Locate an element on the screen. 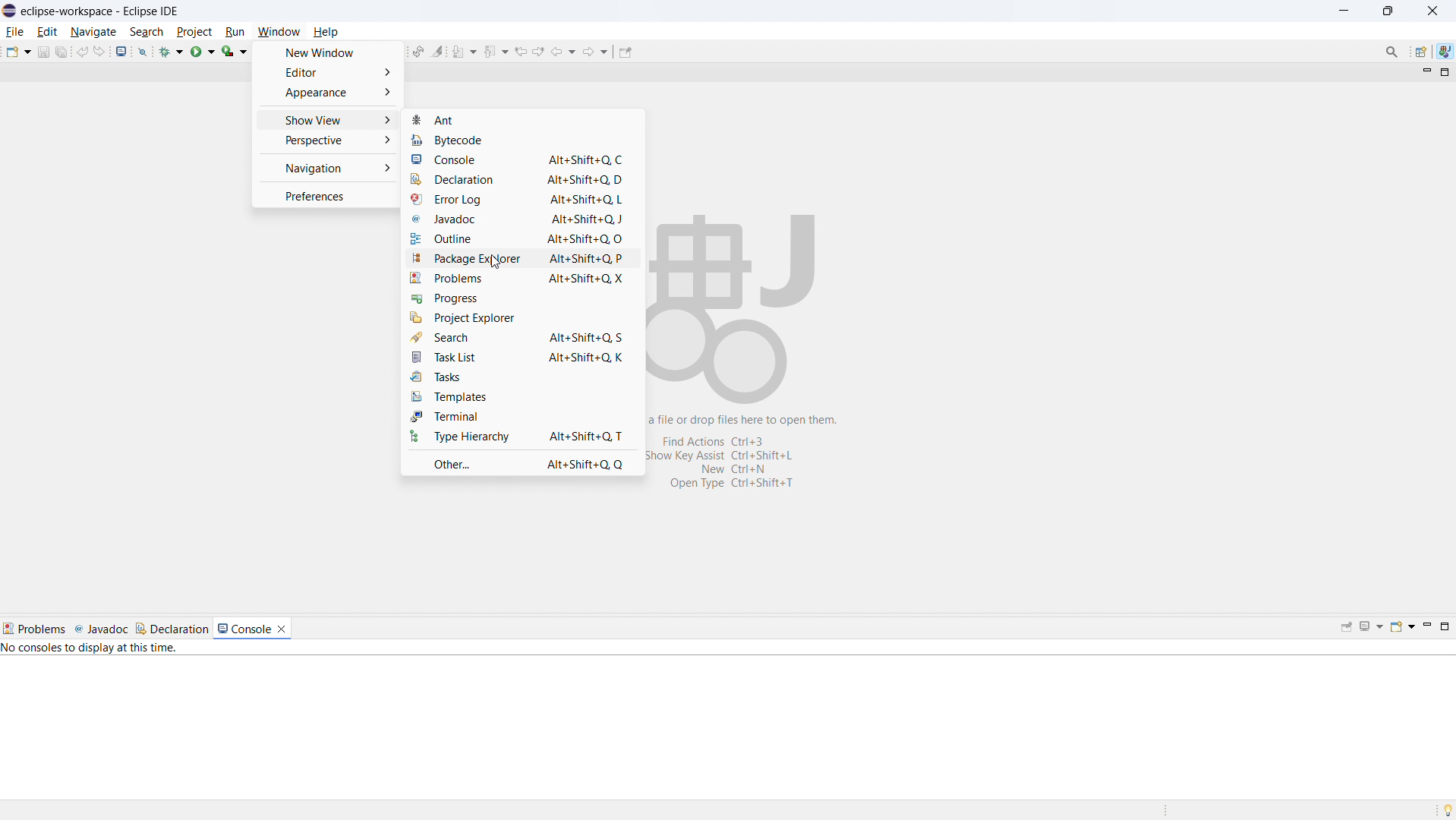 The height and width of the screenshot is (820, 1456). Tip of the day is located at coordinates (1444, 809).